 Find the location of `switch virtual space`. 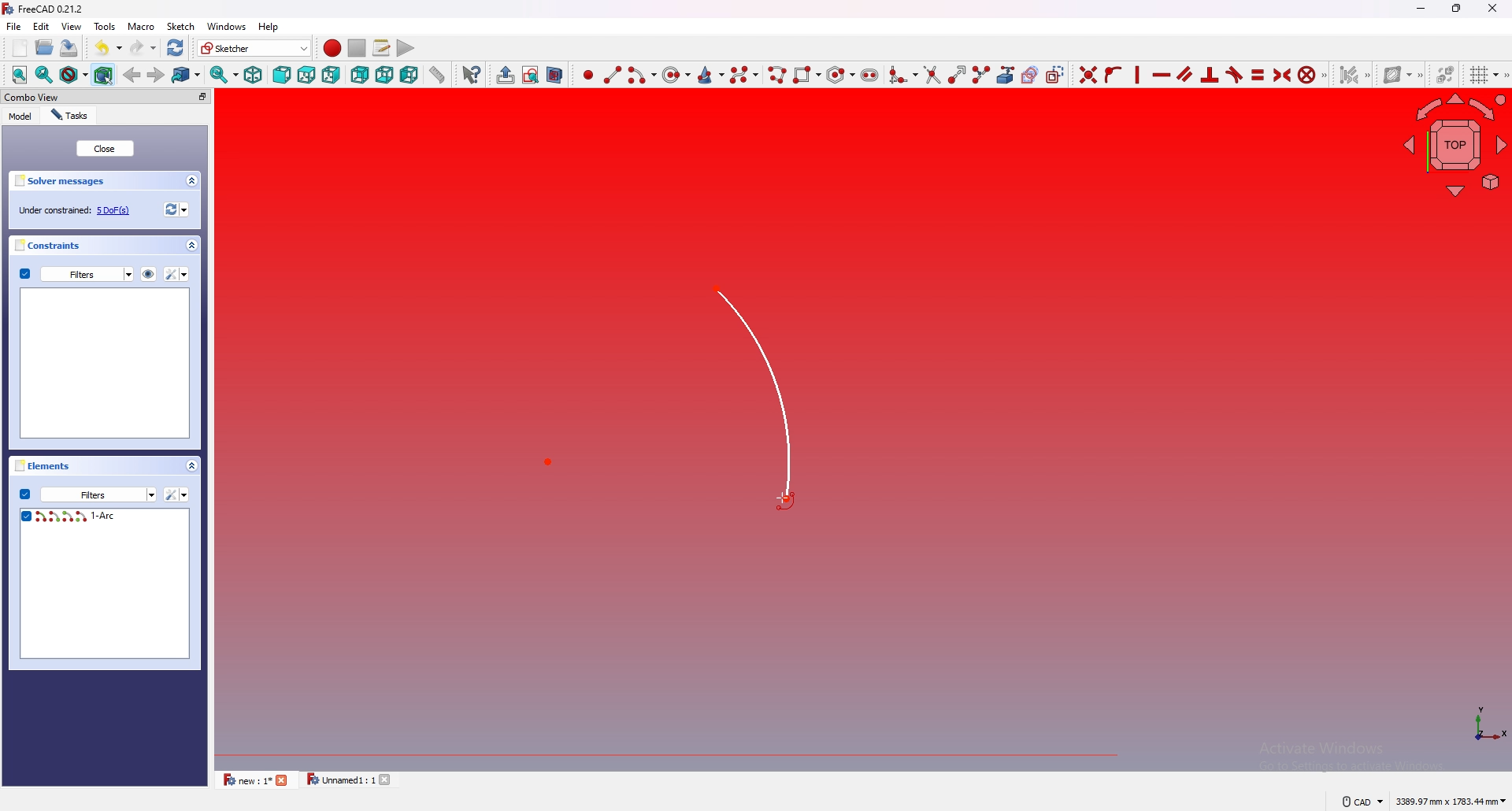

switch virtual space is located at coordinates (1446, 71).